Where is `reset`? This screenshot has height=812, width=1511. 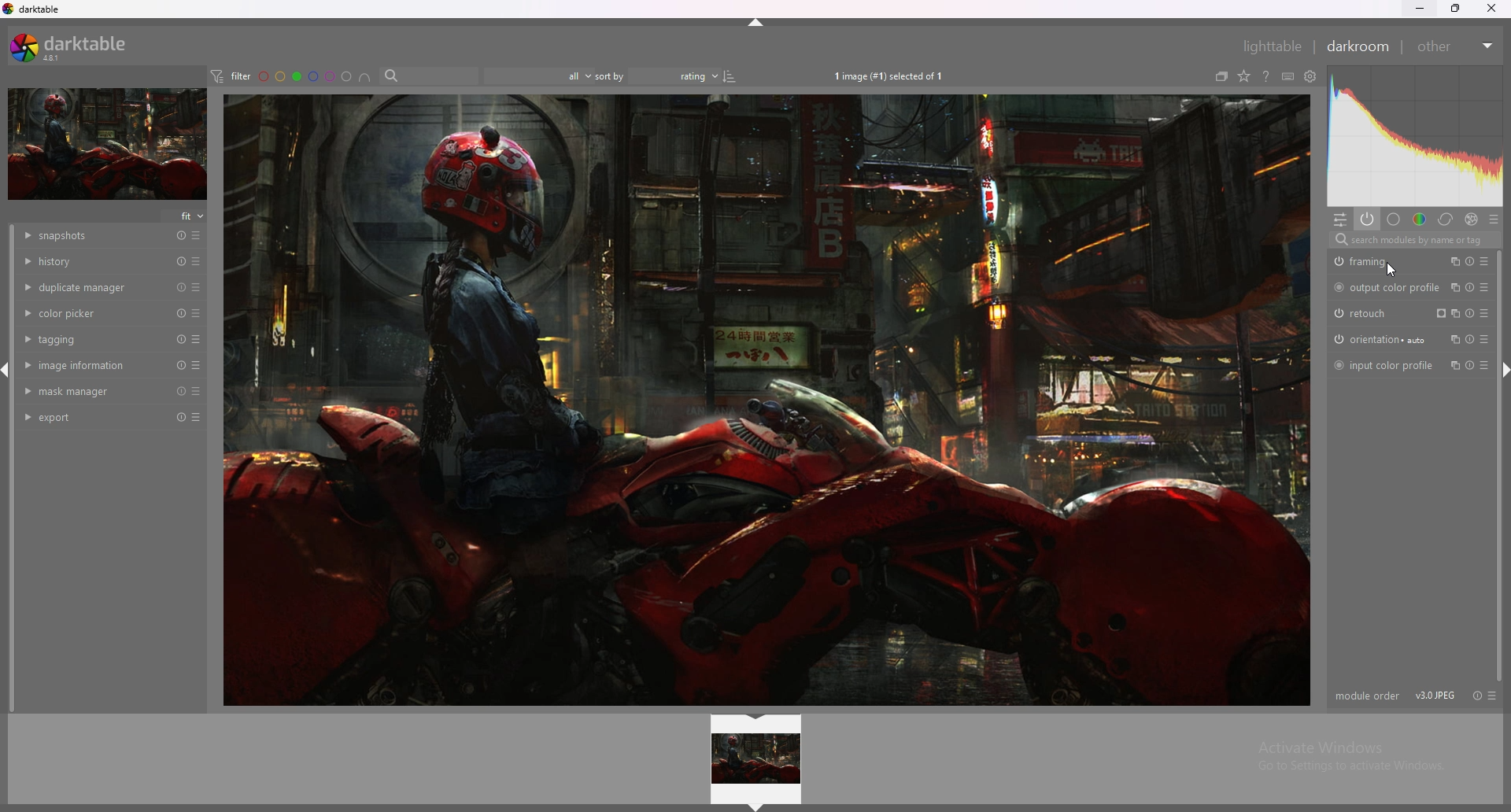 reset is located at coordinates (181, 391).